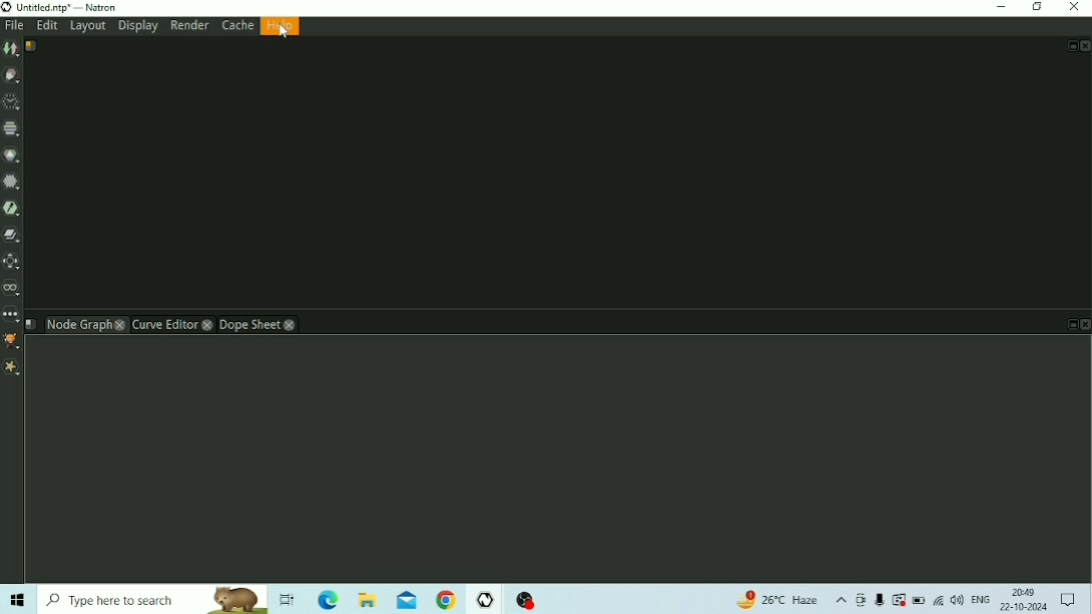 The width and height of the screenshot is (1092, 614). Describe the element at coordinates (1002, 6) in the screenshot. I see `Minimize` at that location.